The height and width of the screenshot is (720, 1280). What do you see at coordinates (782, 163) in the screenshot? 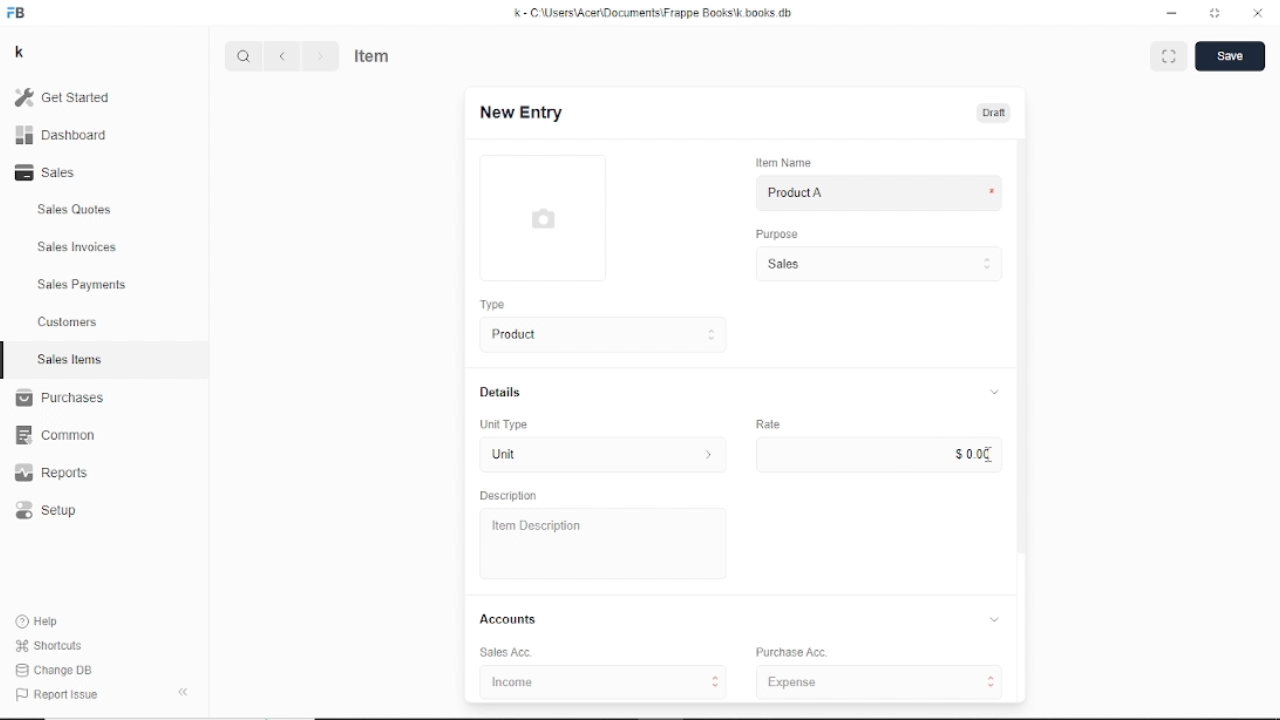
I see `Item Name` at bounding box center [782, 163].